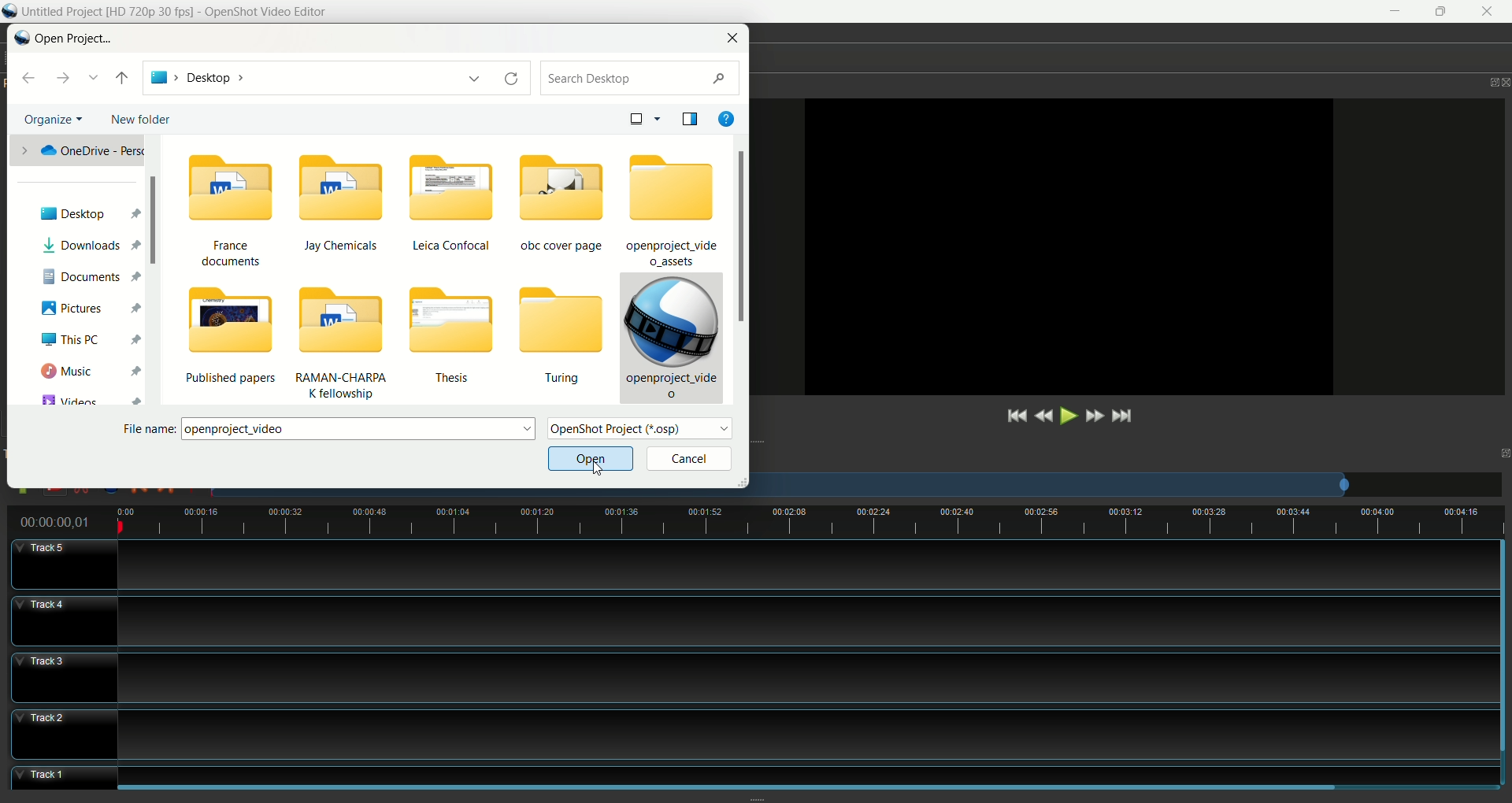 The image size is (1512, 803). What do you see at coordinates (589, 460) in the screenshot?
I see `open` at bounding box center [589, 460].